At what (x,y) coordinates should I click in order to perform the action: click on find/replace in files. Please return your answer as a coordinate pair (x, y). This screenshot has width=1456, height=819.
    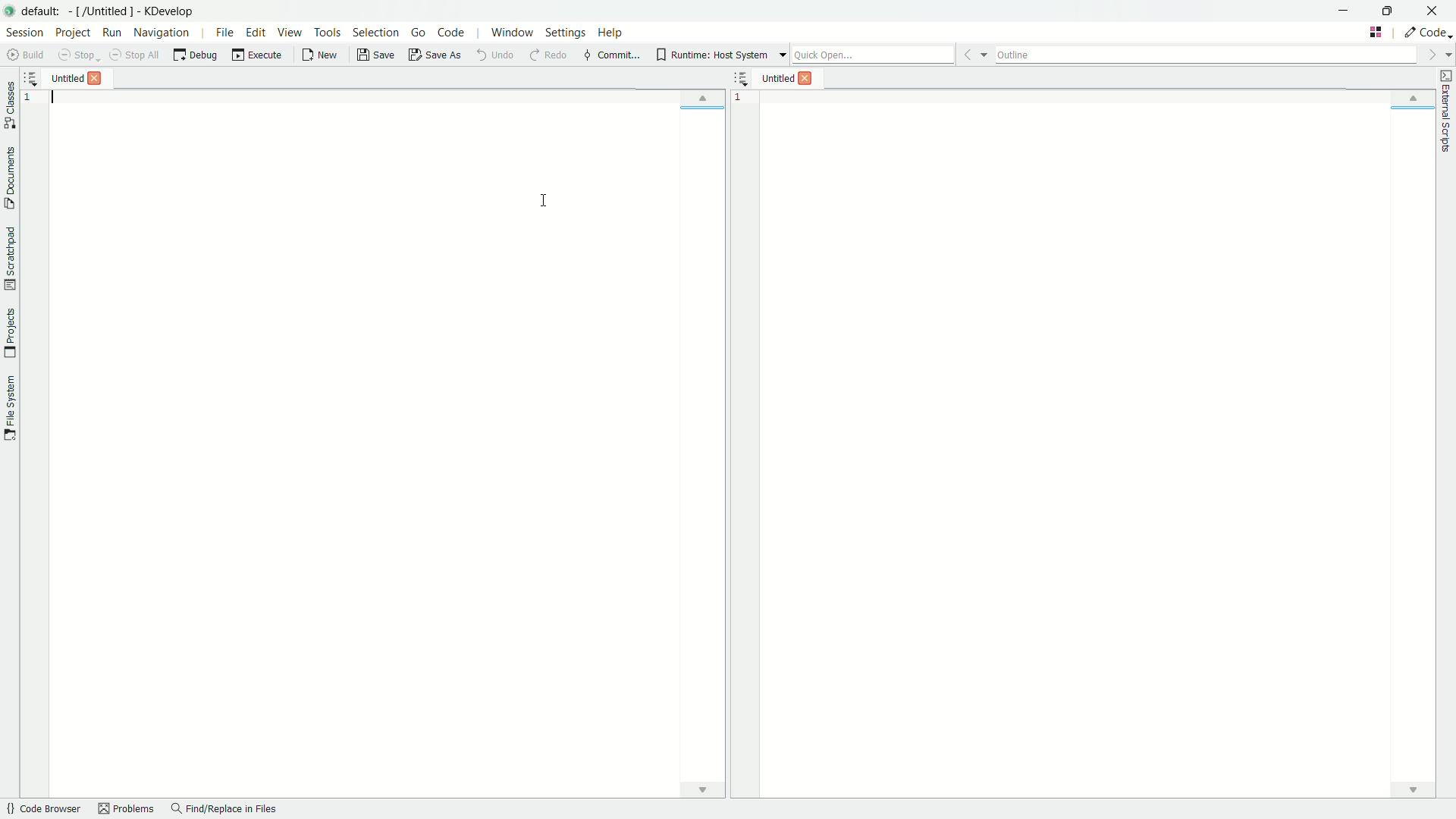
    Looking at the image, I should click on (221, 810).